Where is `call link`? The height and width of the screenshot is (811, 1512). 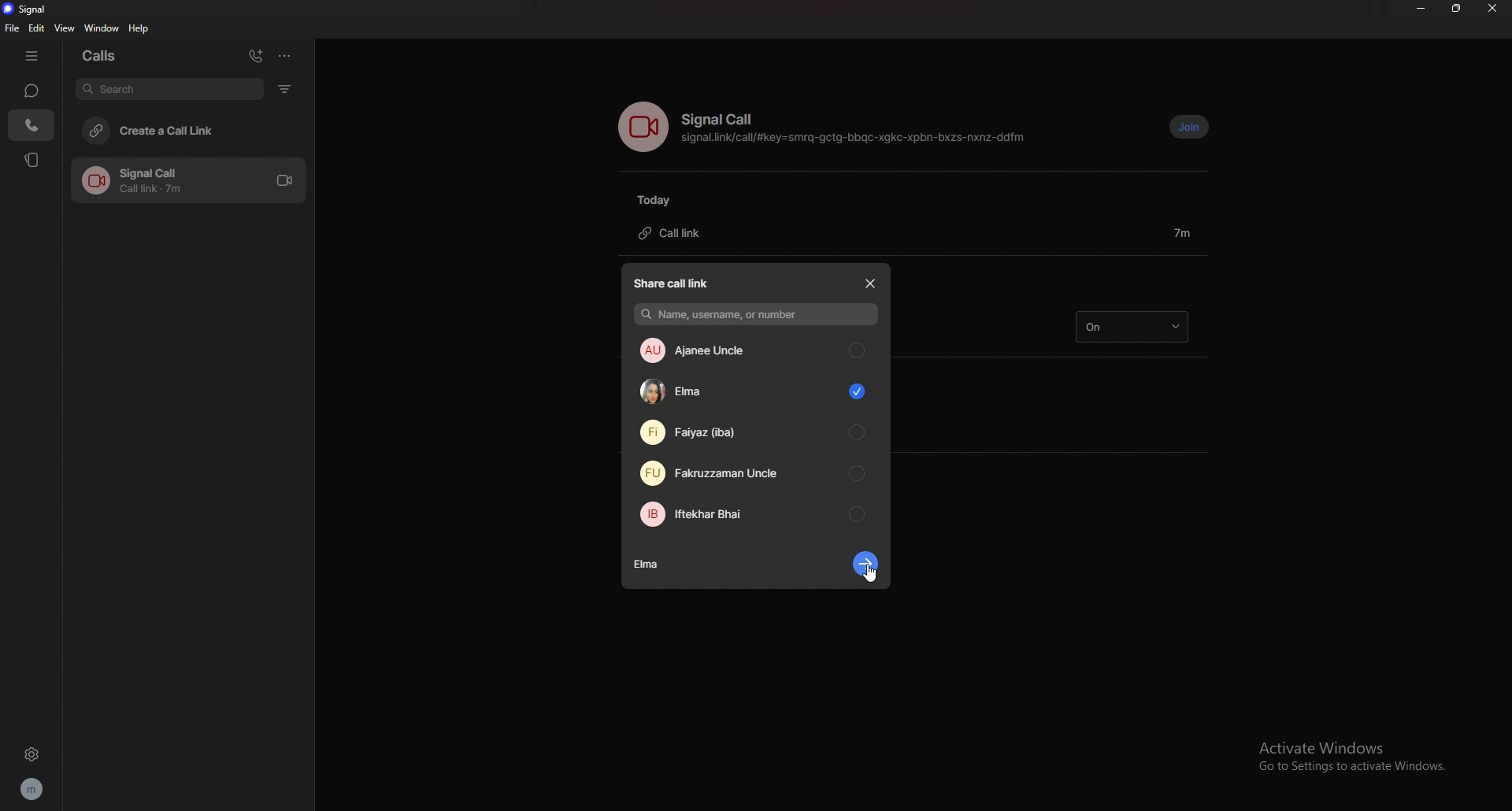 call link is located at coordinates (679, 235).